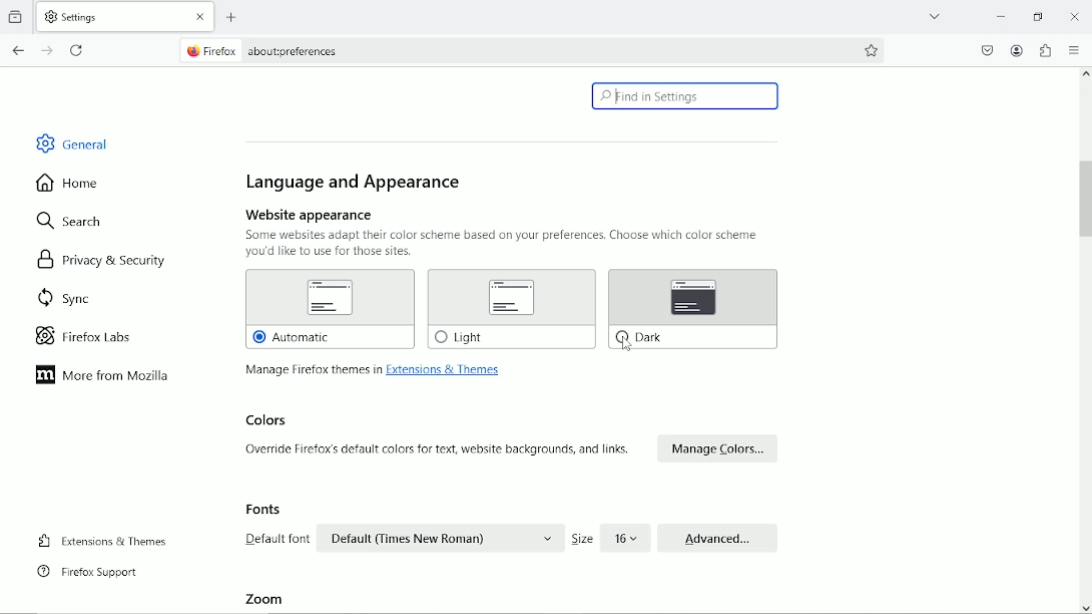  What do you see at coordinates (78, 50) in the screenshot?
I see `reload the current tab` at bounding box center [78, 50].